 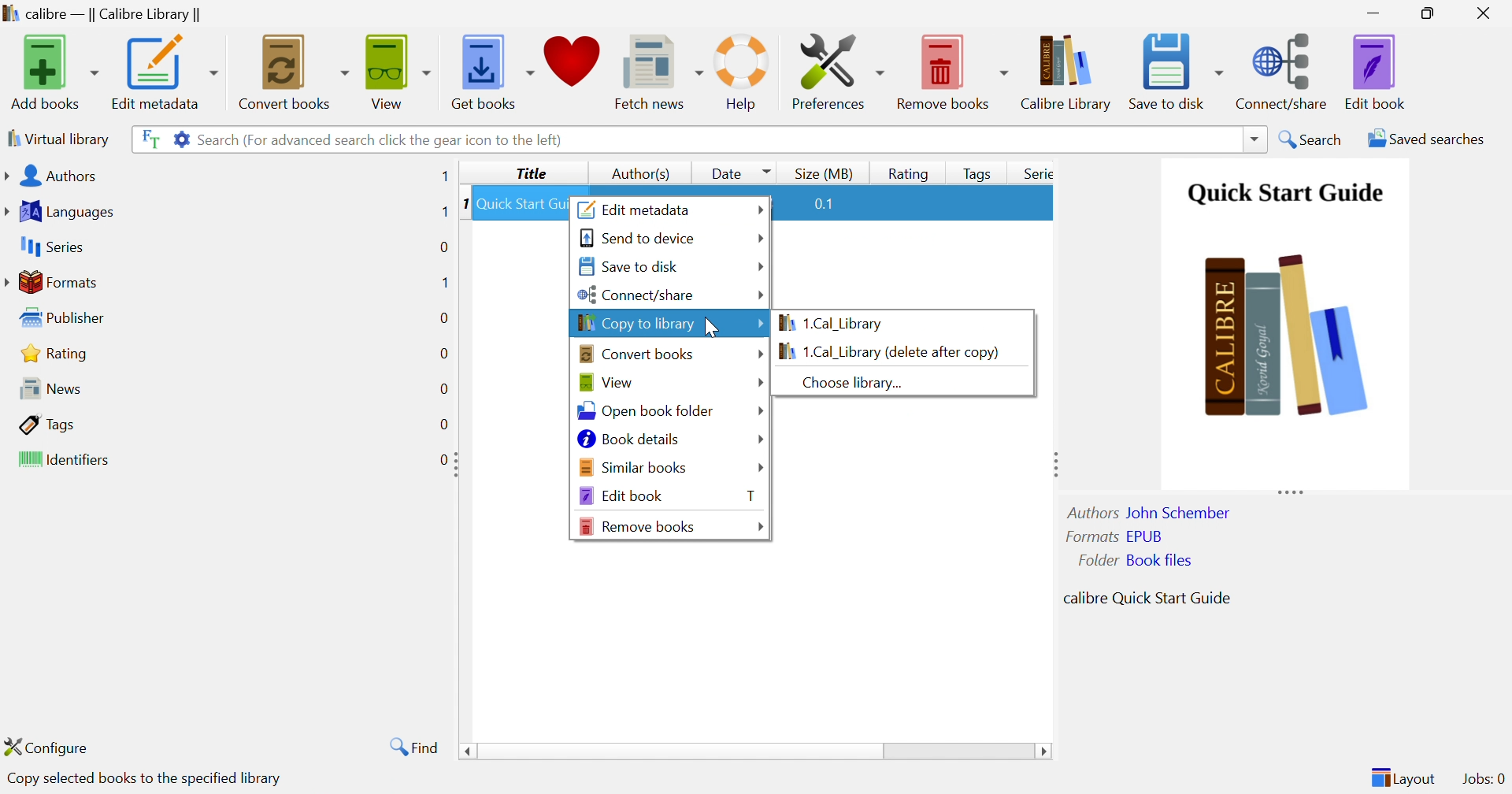 What do you see at coordinates (836, 323) in the screenshot?
I see `1. Cal_Library` at bounding box center [836, 323].